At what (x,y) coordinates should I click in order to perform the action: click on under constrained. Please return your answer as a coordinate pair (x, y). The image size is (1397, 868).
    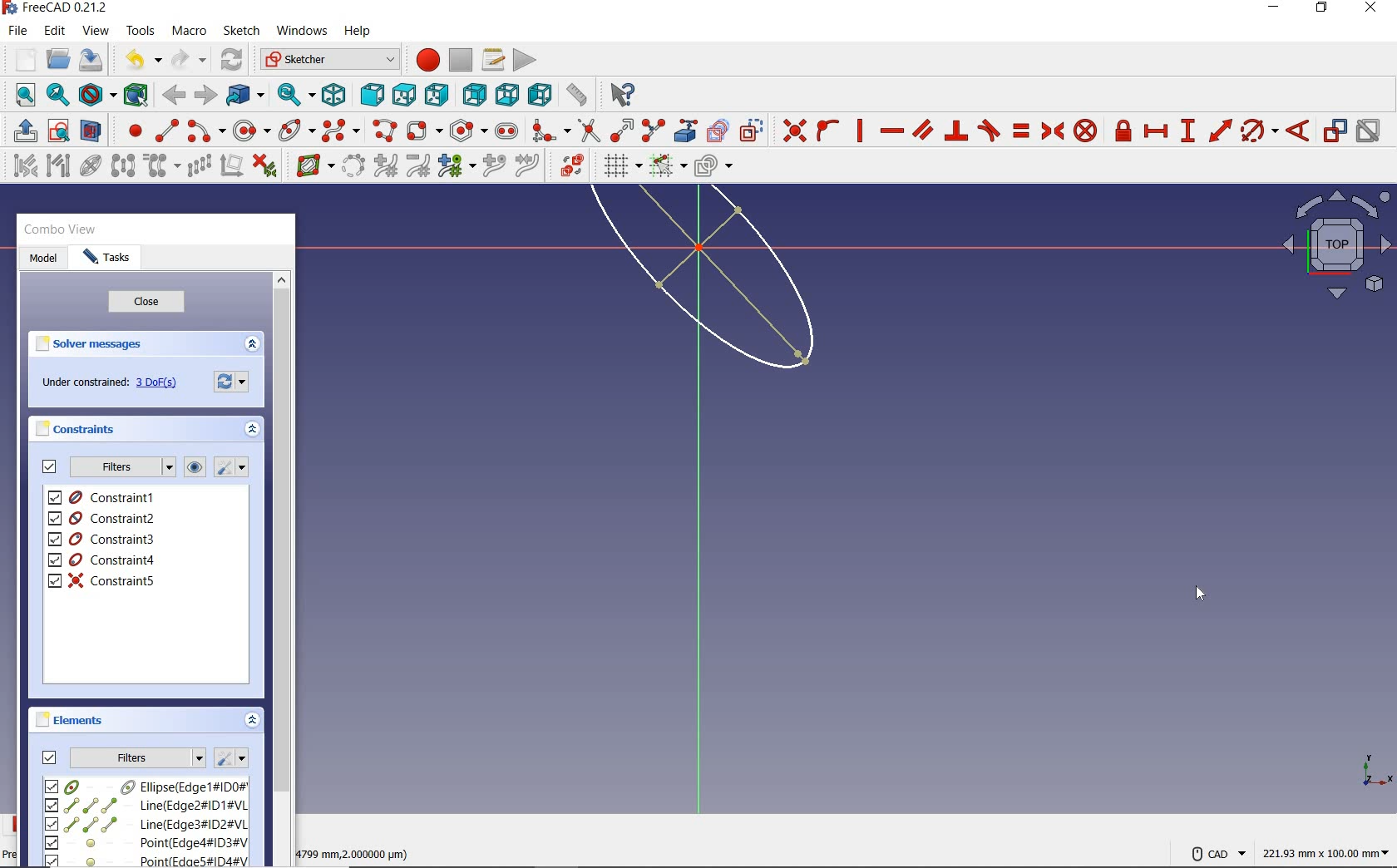
    Looking at the image, I should click on (114, 383).